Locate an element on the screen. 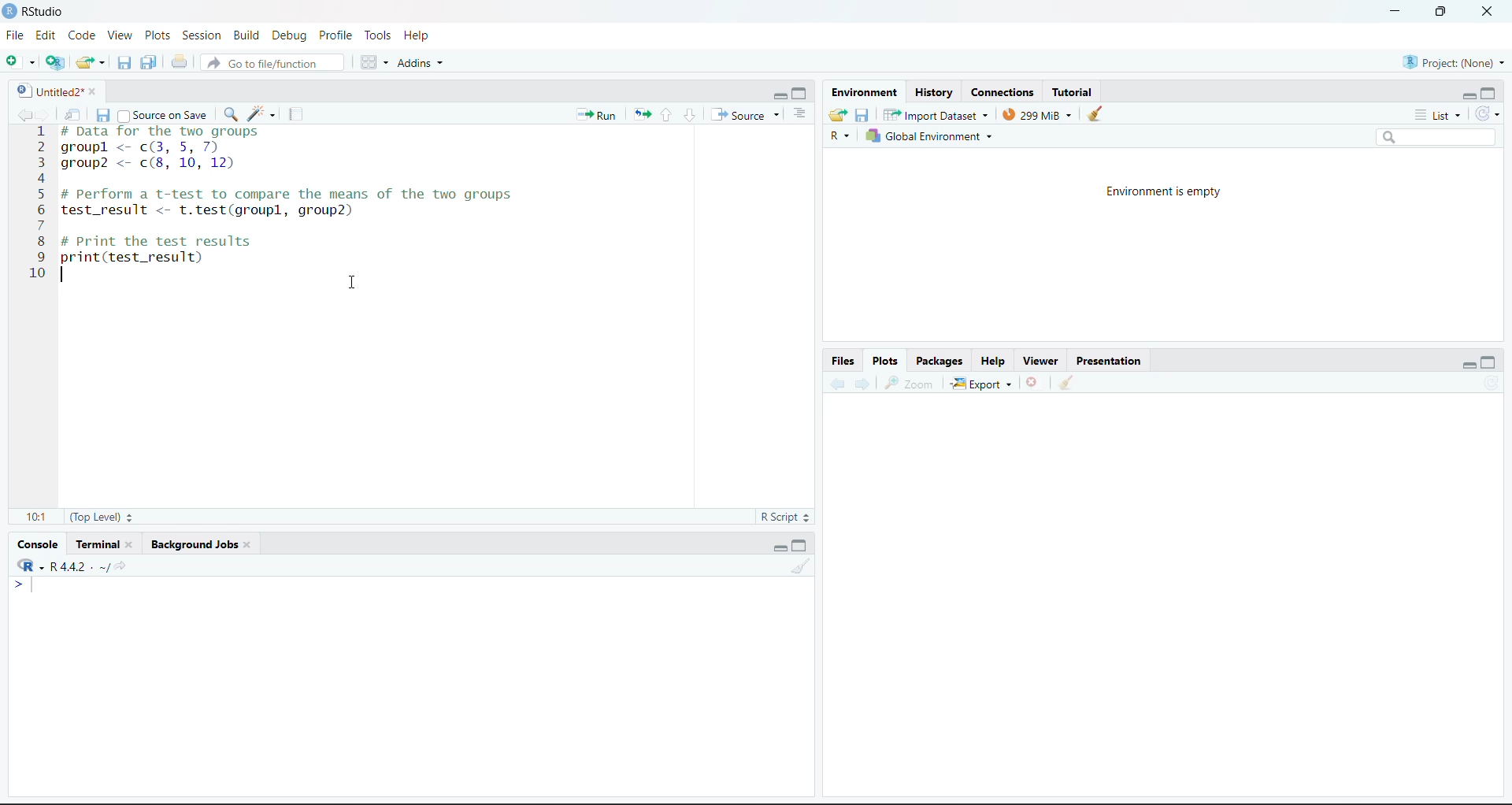 The height and width of the screenshot is (805, 1512). R script is located at coordinates (785, 517).